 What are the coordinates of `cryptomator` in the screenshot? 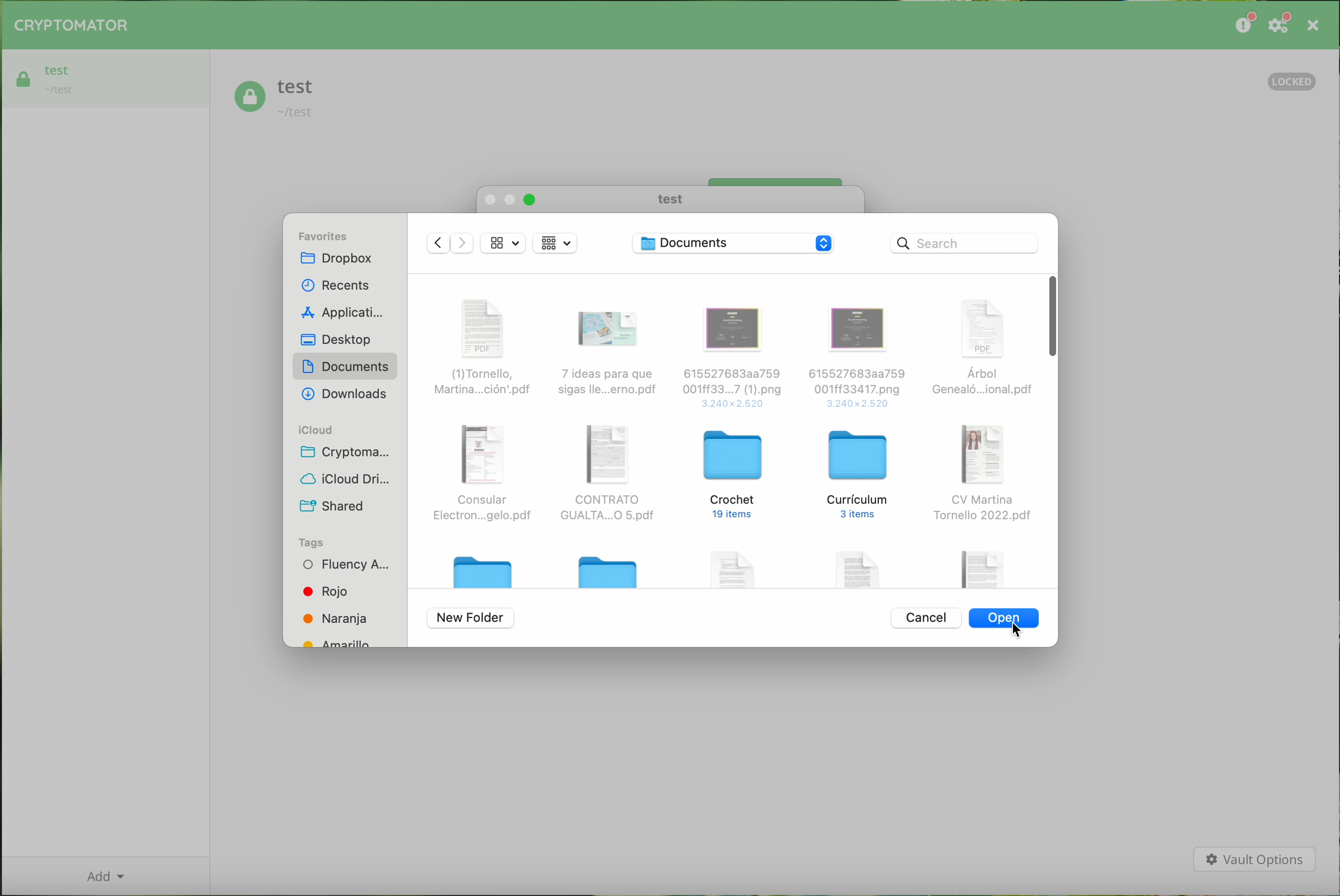 It's located at (72, 26).